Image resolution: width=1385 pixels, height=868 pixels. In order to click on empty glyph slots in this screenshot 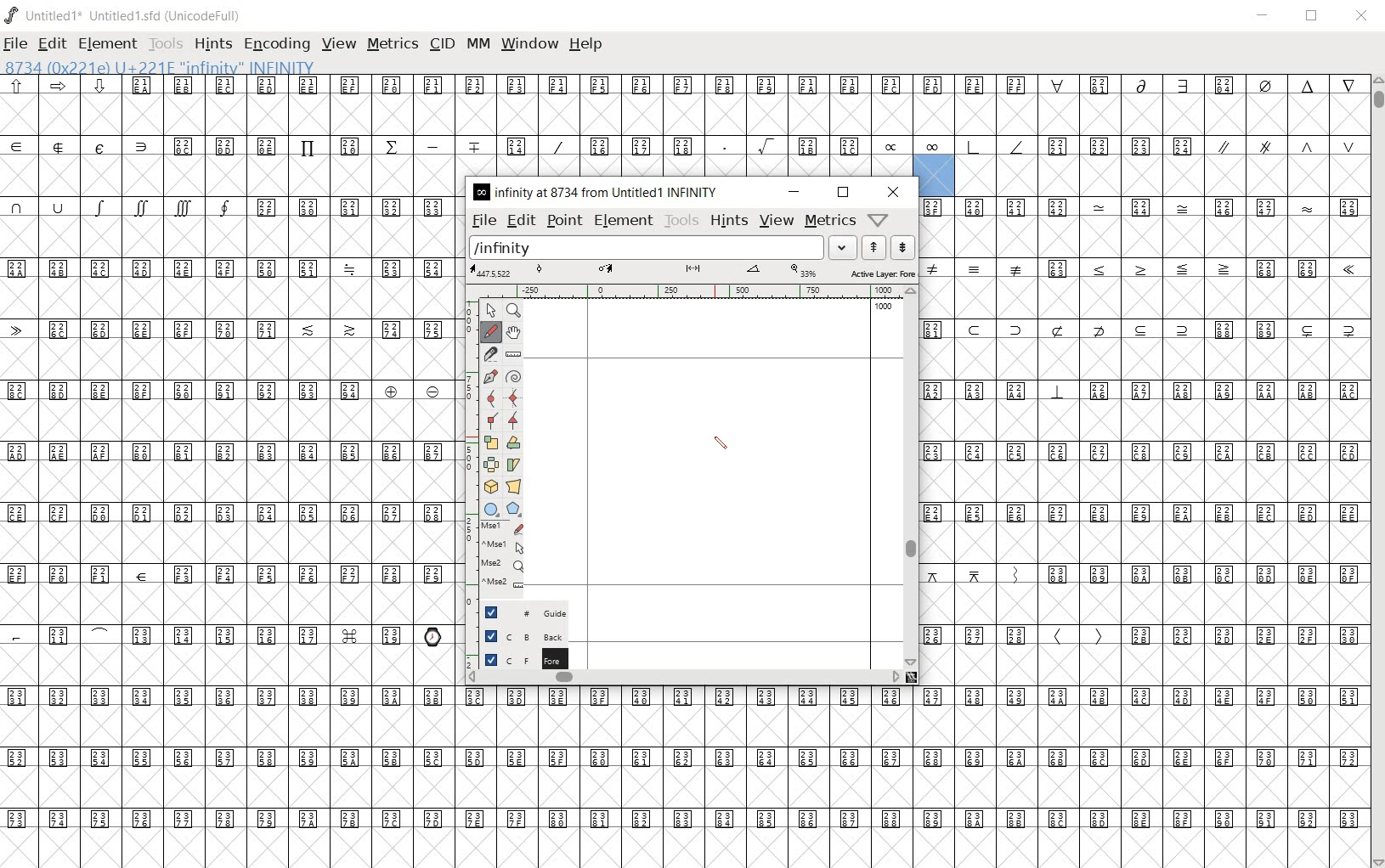, I will do `click(232, 667)`.